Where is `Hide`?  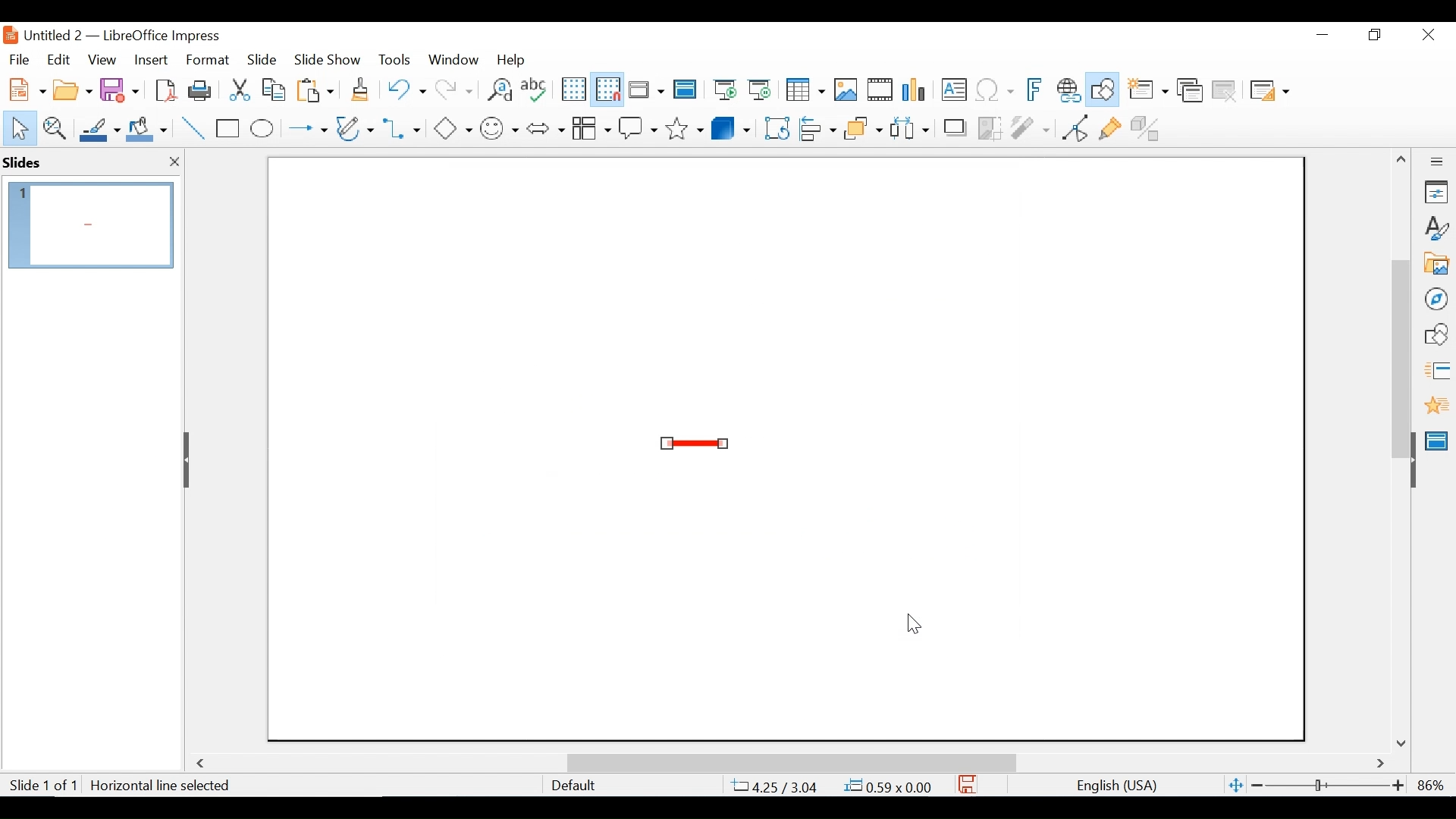
Hide is located at coordinates (189, 460).